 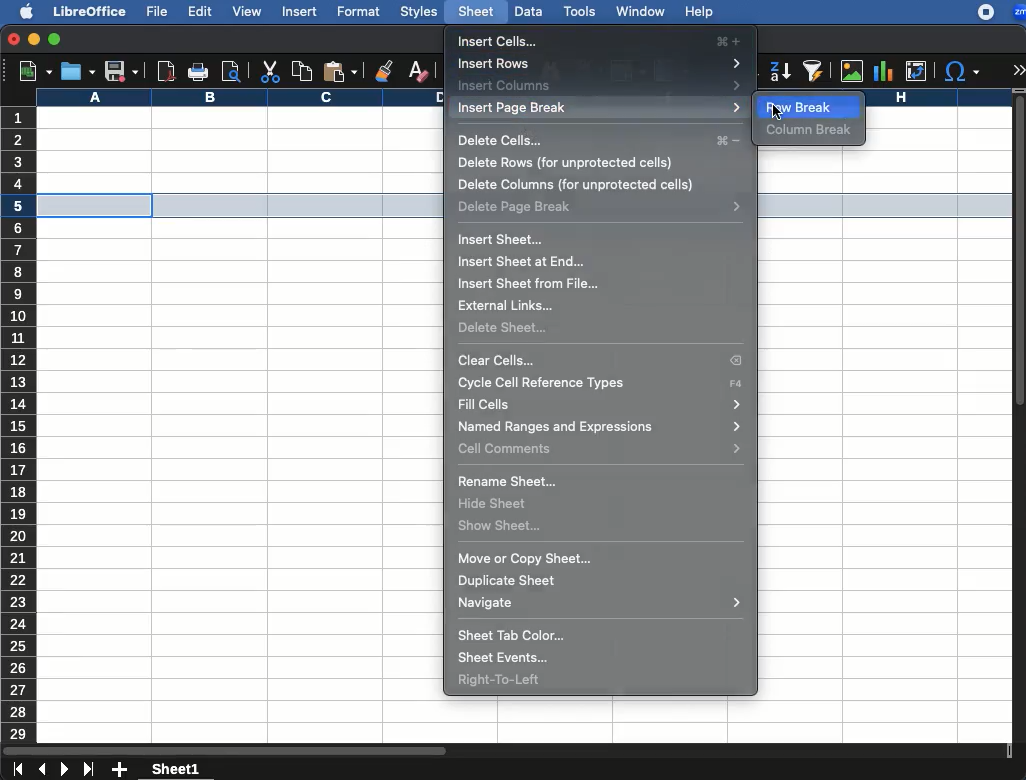 What do you see at coordinates (299, 72) in the screenshot?
I see `copy` at bounding box center [299, 72].